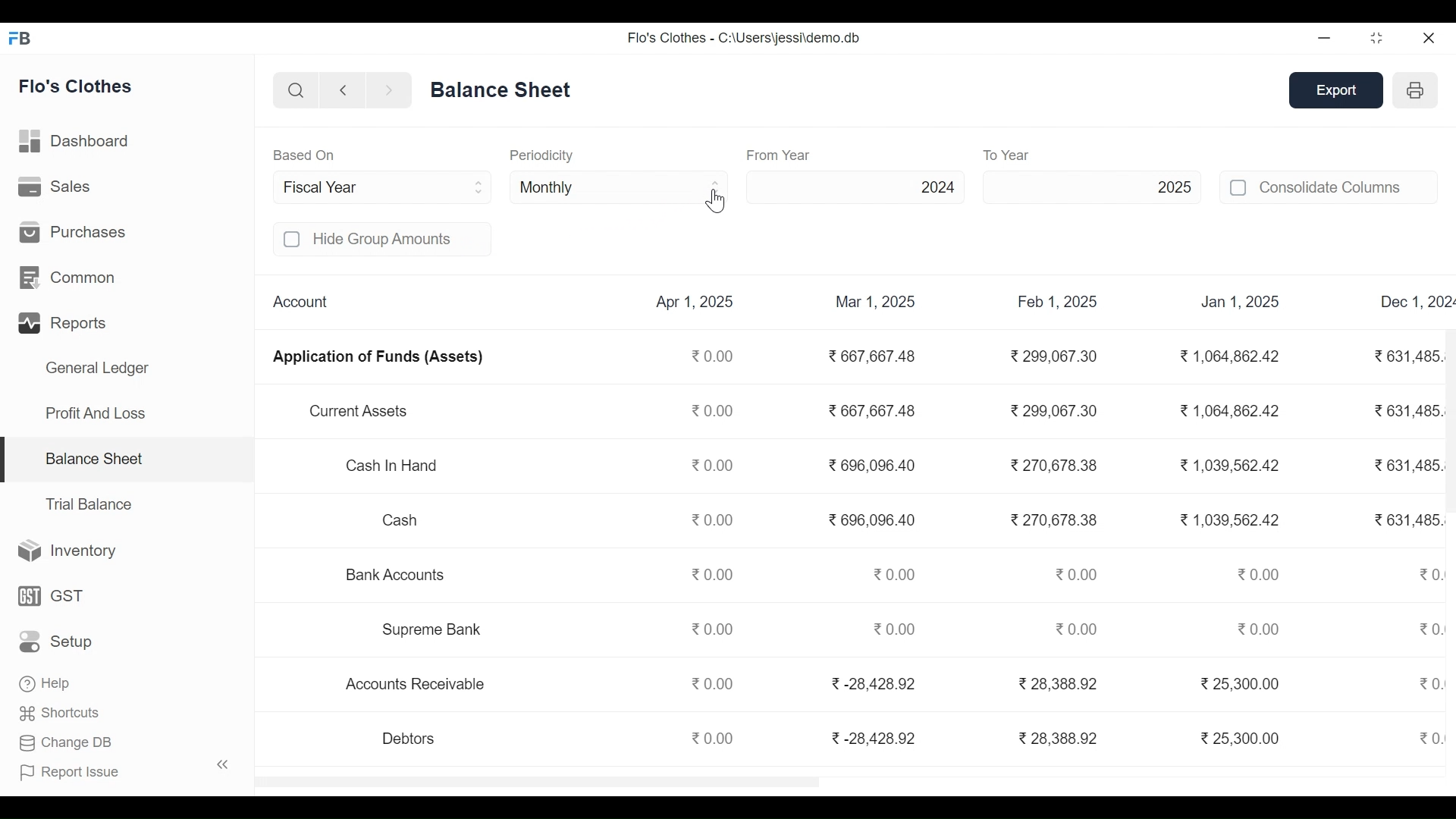  I want to click on Periodicity, so click(541, 155).